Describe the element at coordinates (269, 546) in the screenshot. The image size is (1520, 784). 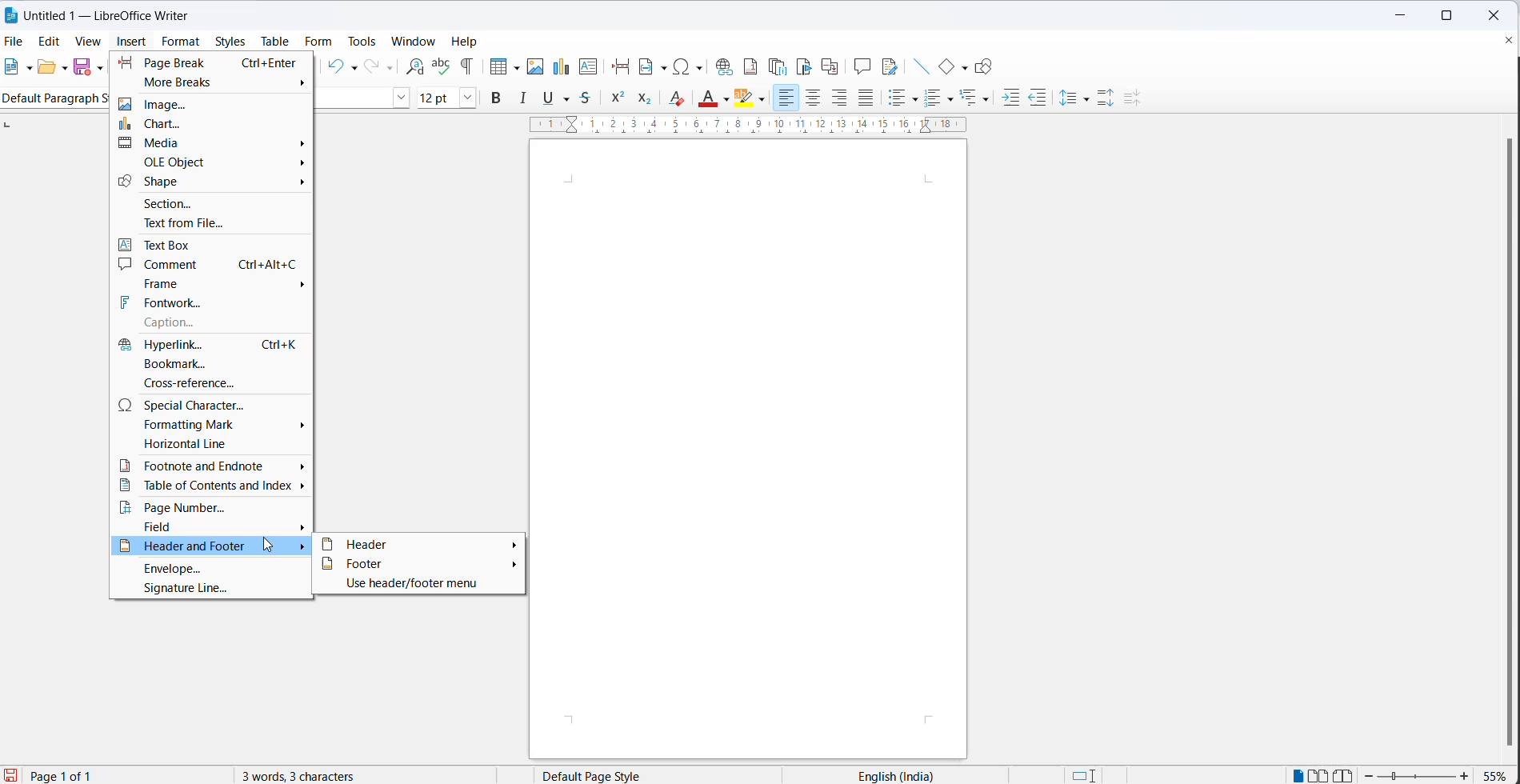
I see `cursor` at that location.